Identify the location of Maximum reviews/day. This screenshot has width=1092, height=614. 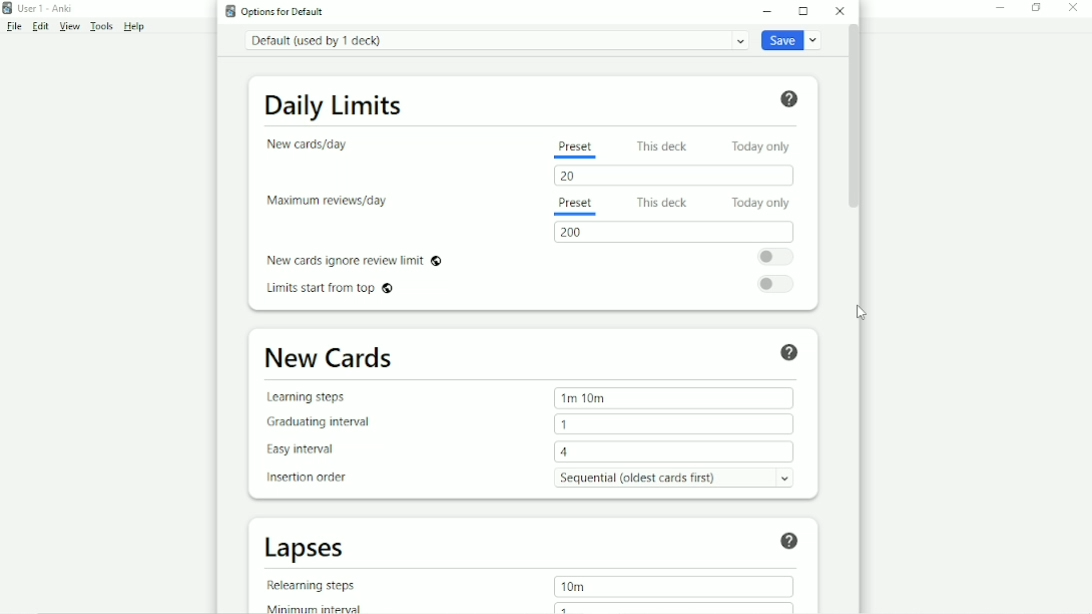
(333, 202).